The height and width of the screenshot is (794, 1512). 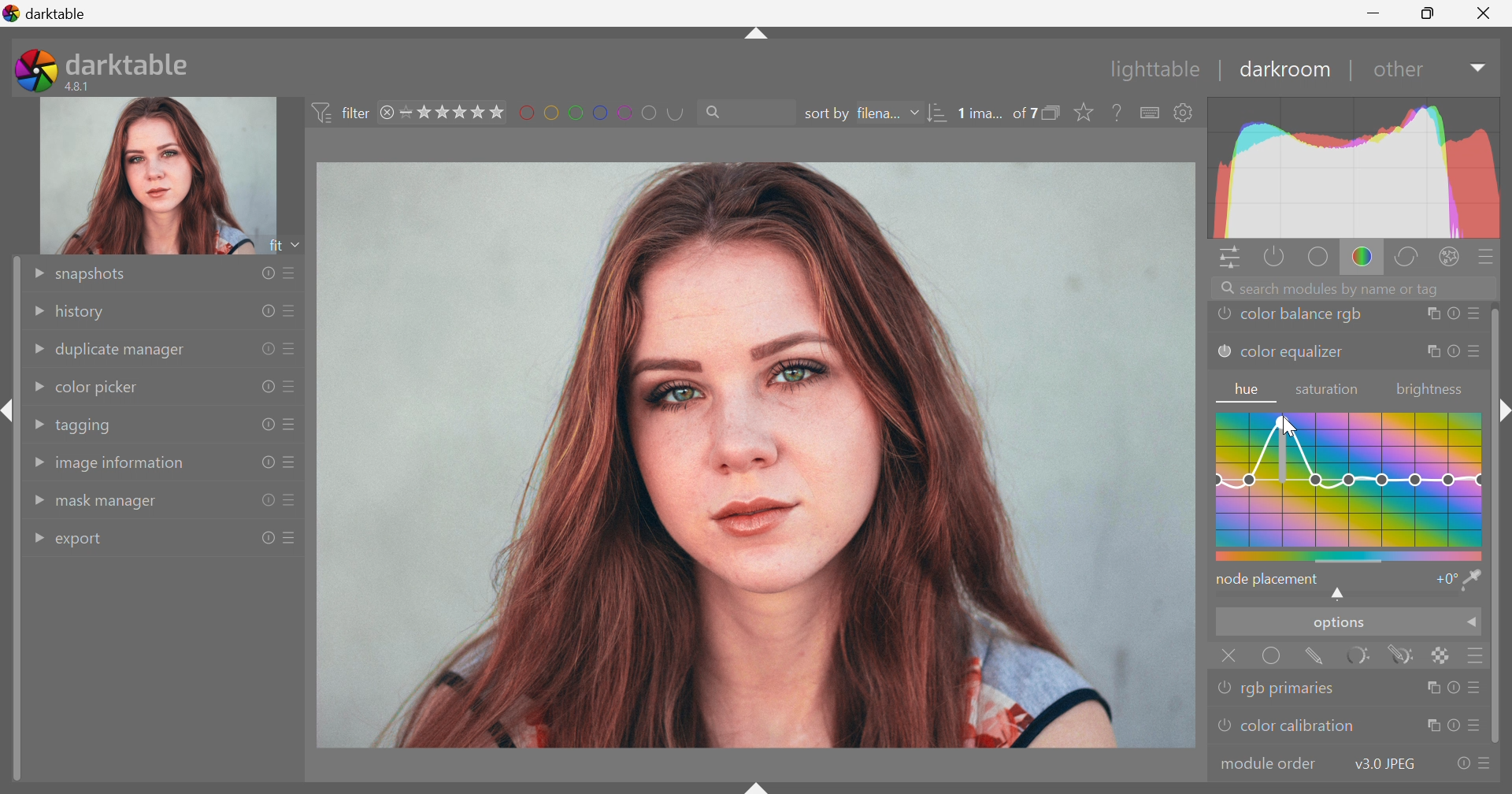 I want to click on lighttable, so click(x=1150, y=70).